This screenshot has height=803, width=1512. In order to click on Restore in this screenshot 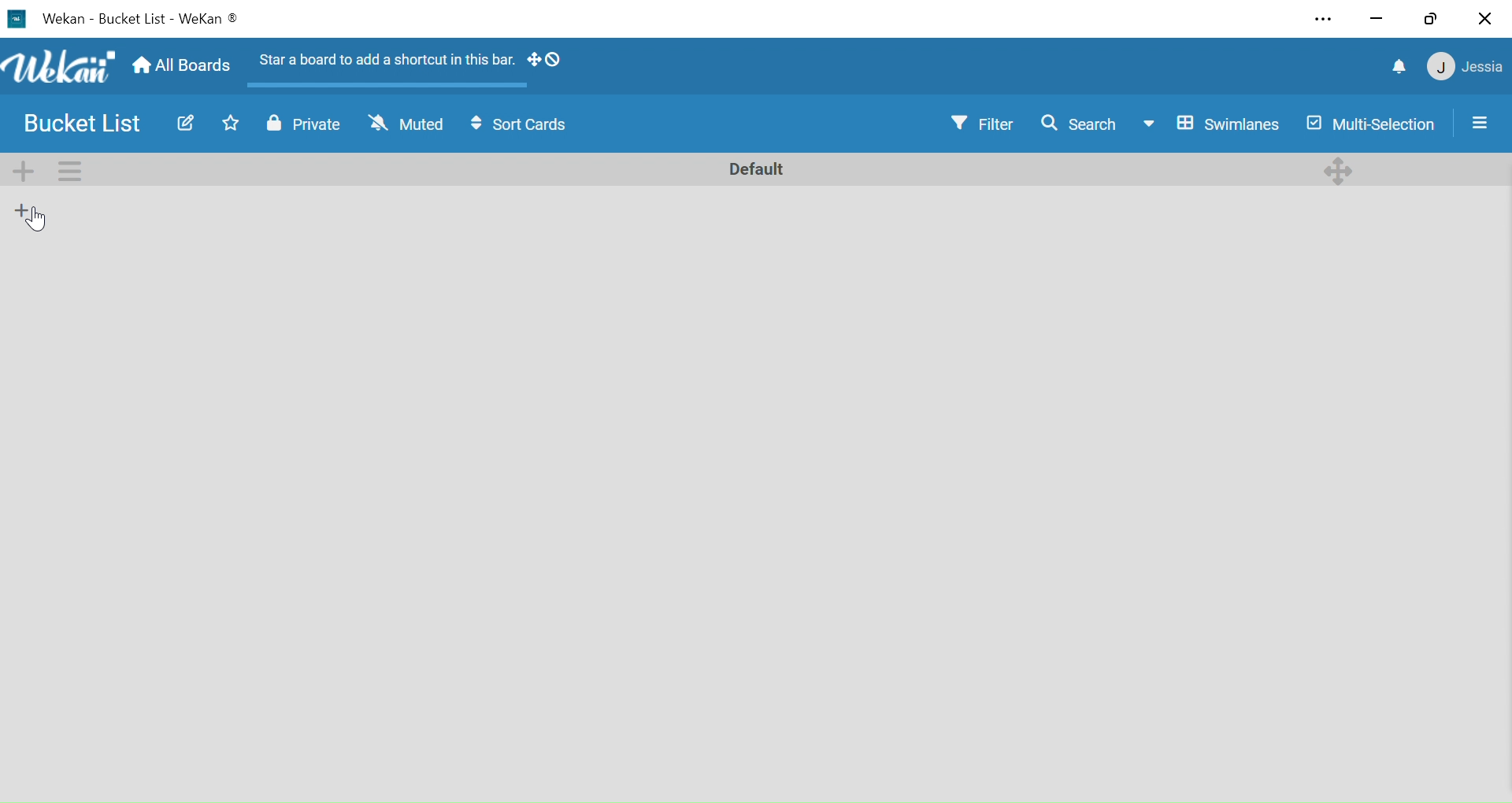, I will do `click(1430, 19)`.